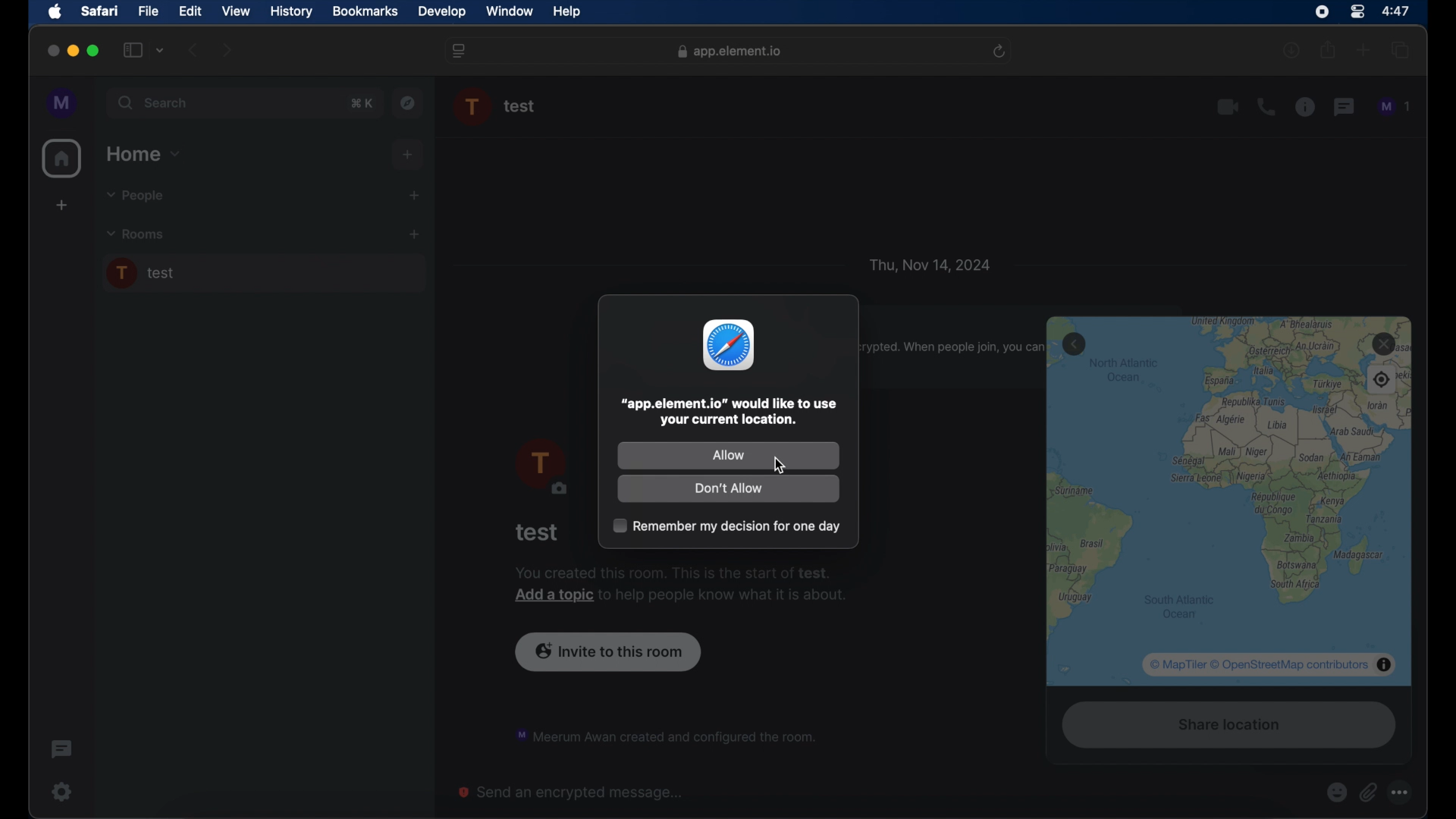  I want to click on view, so click(237, 11).